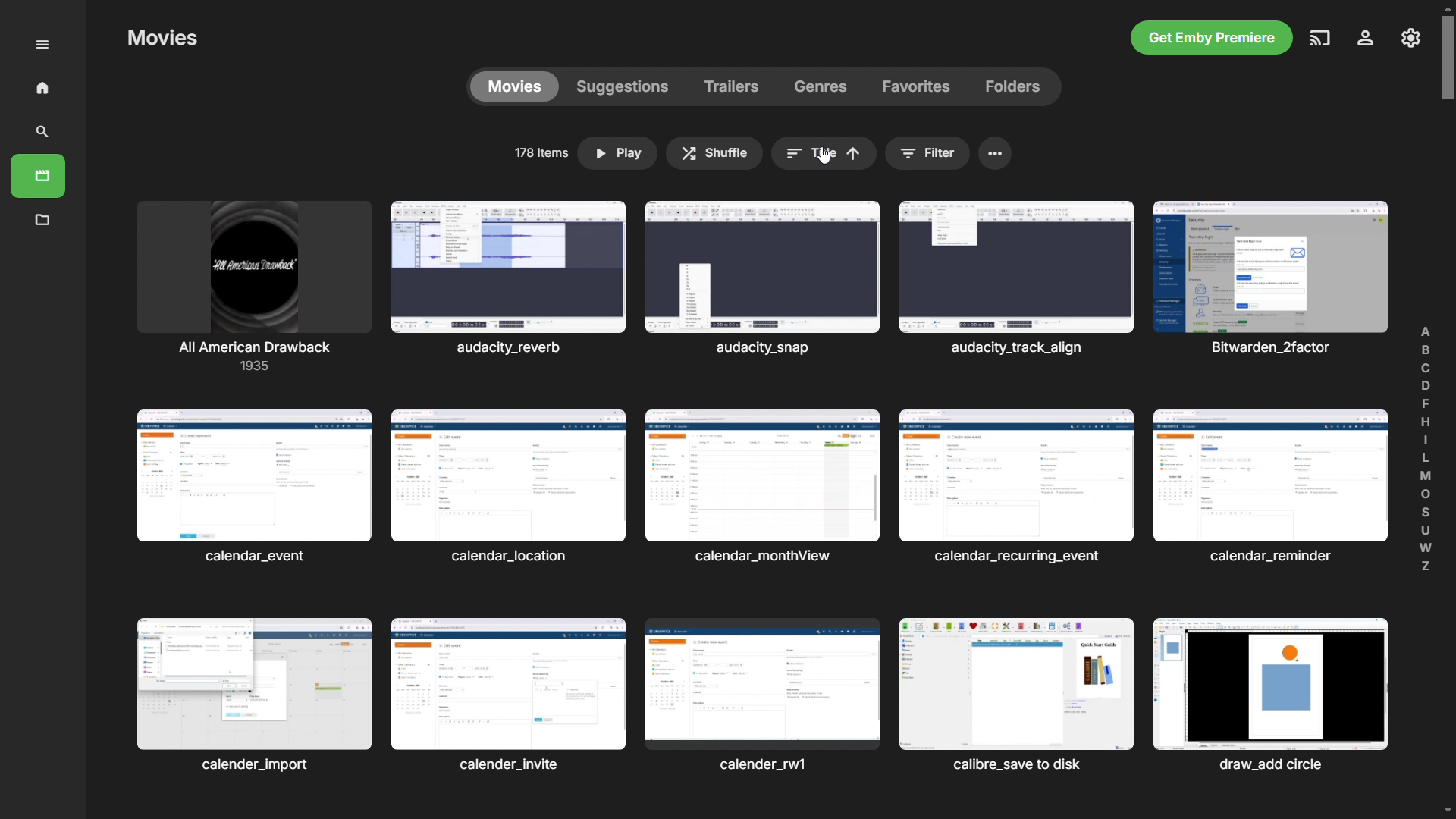 This screenshot has width=1456, height=819. I want to click on shuffle, so click(714, 153).